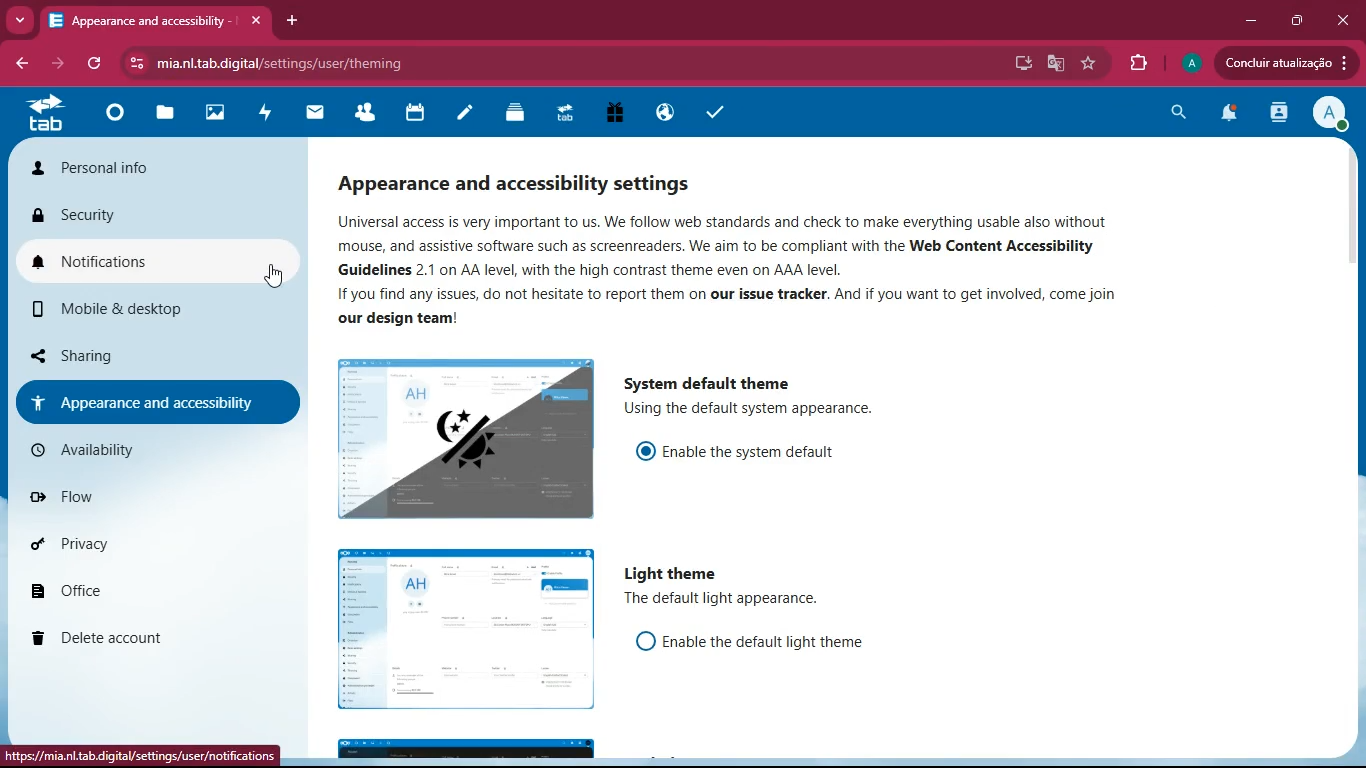 Image resolution: width=1366 pixels, height=768 pixels. I want to click on task, so click(716, 113).